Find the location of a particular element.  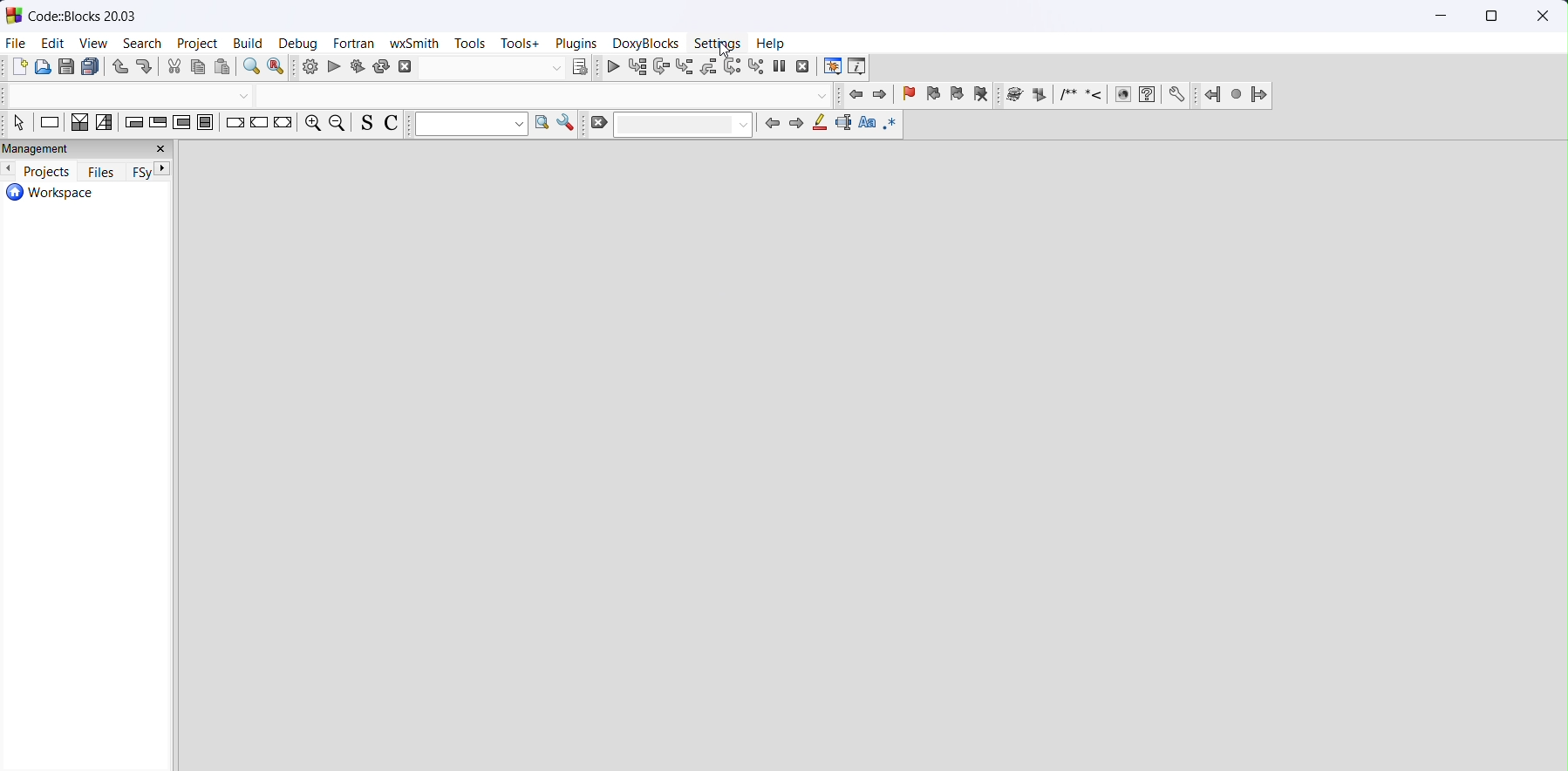

jump forward is located at coordinates (883, 95).